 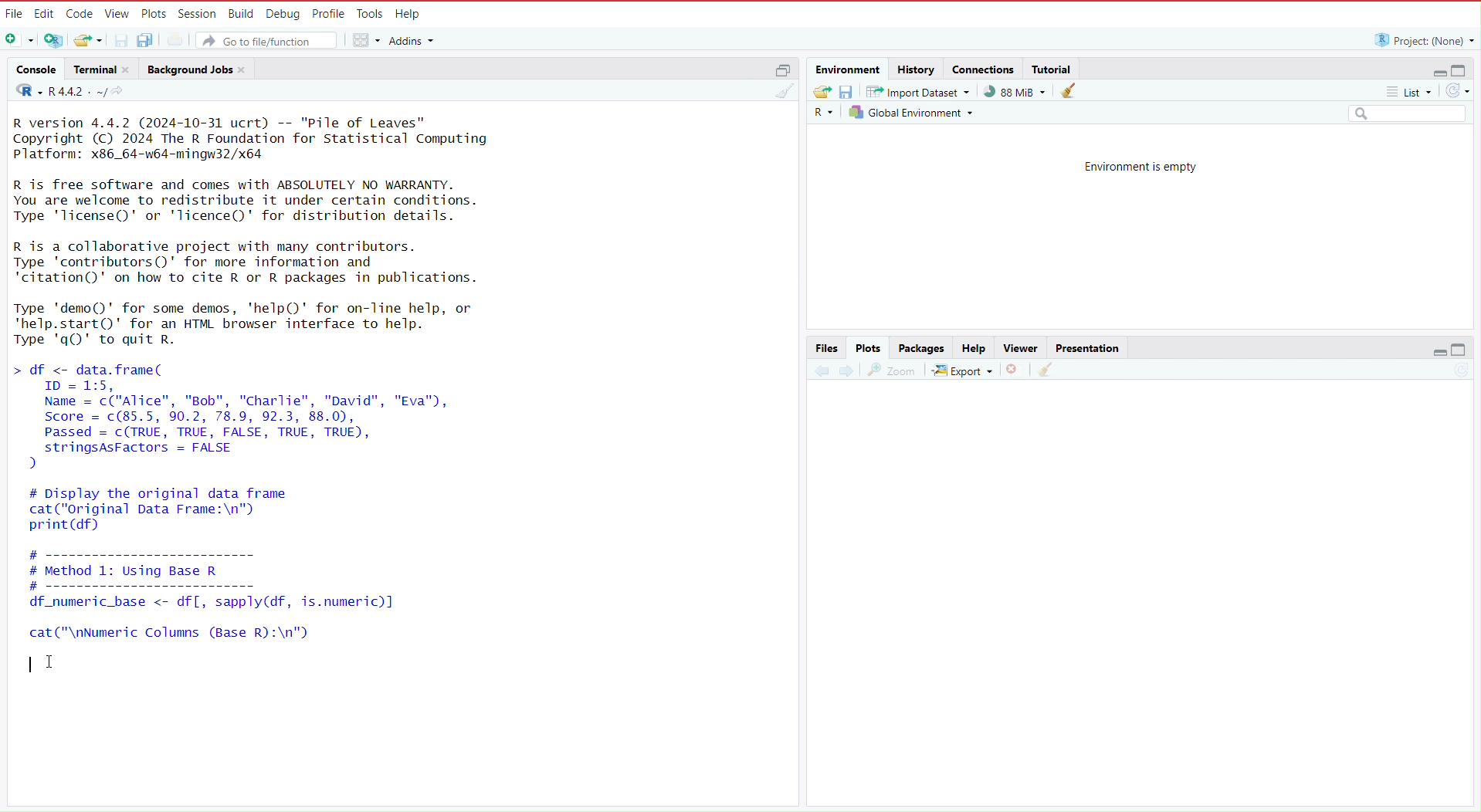 I want to click on Open an existing file, so click(x=90, y=40).